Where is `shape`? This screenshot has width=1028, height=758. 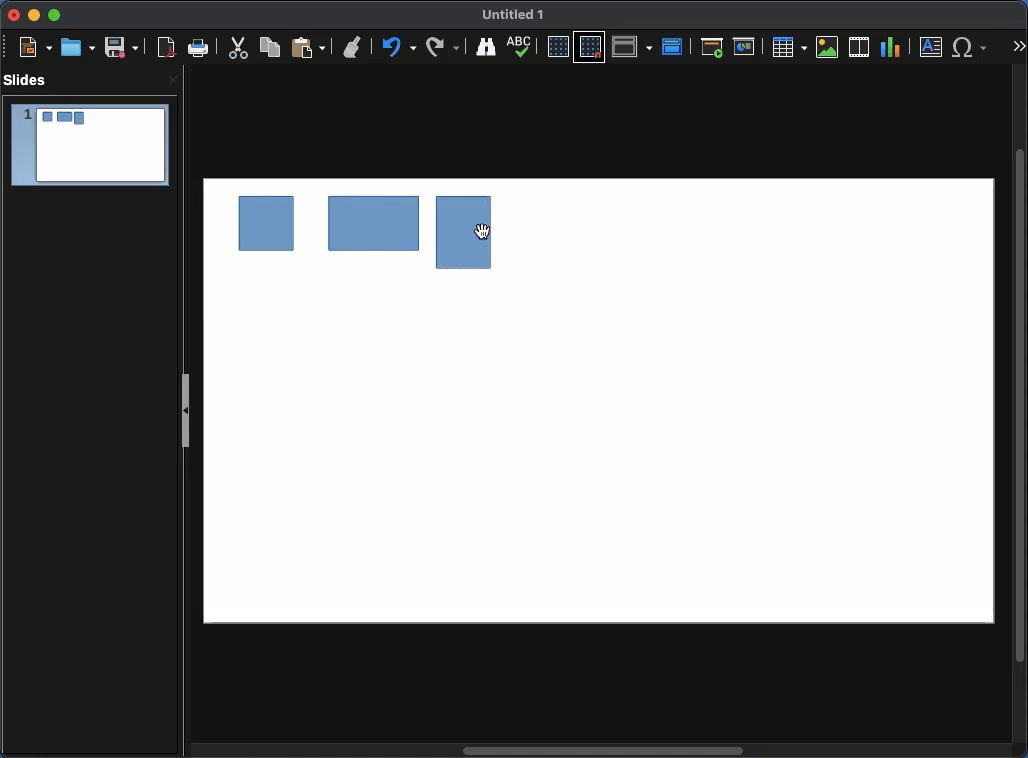 shape is located at coordinates (372, 226).